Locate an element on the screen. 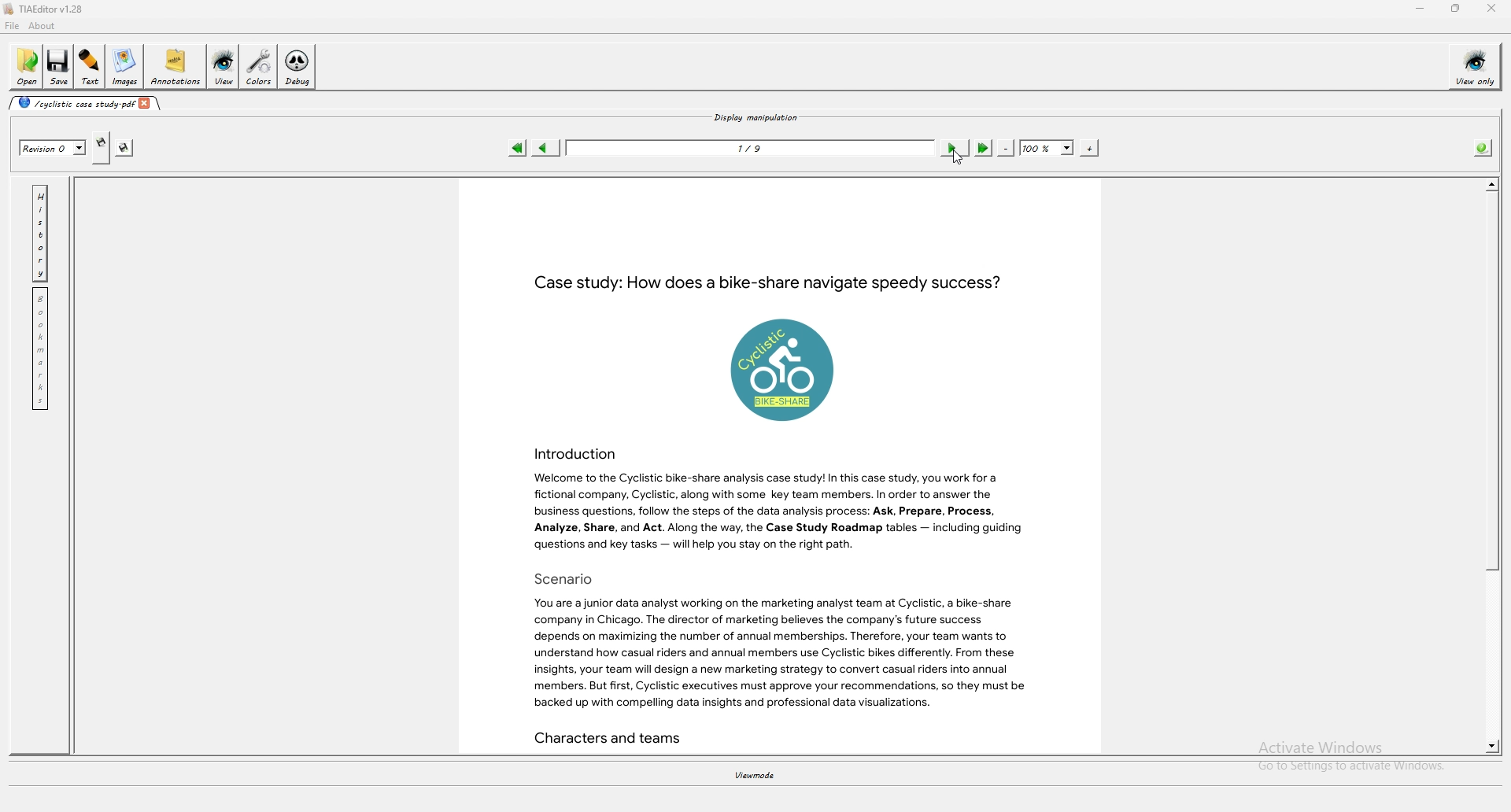  colors is located at coordinates (257, 67).